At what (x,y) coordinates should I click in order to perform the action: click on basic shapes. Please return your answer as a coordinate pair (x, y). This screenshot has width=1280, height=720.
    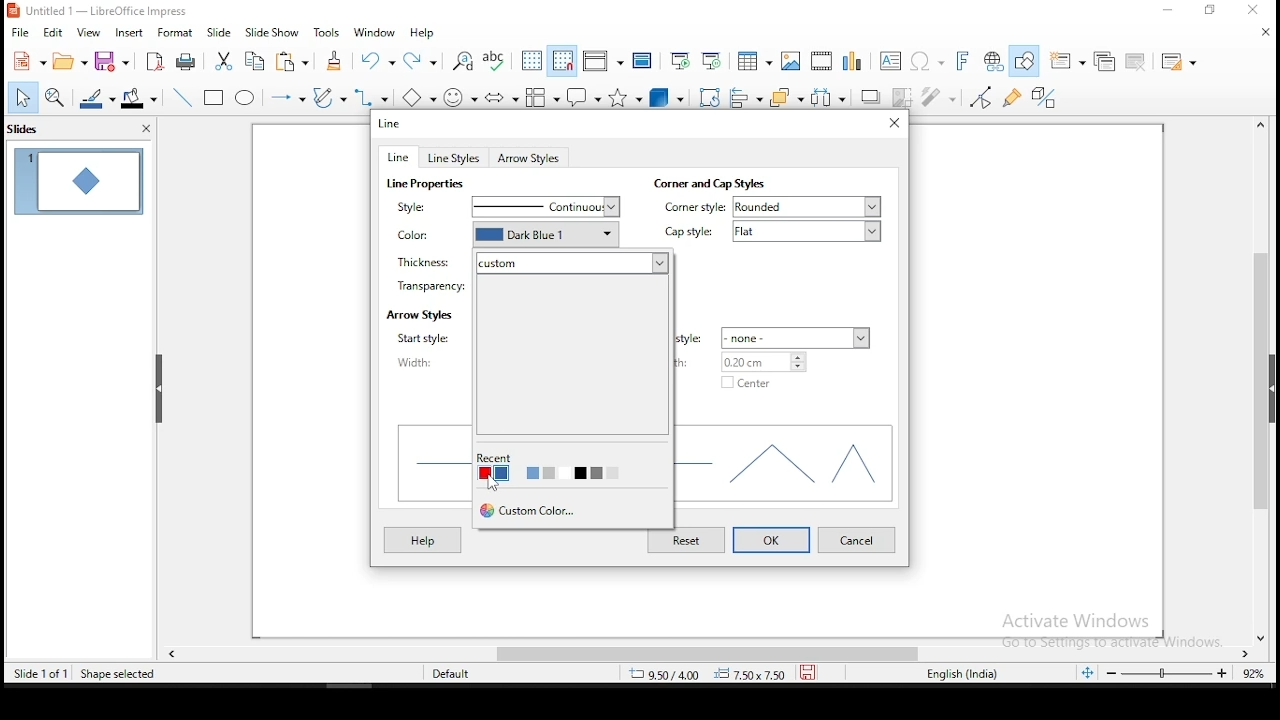
    Looking at the image, I should click on (423, 98).